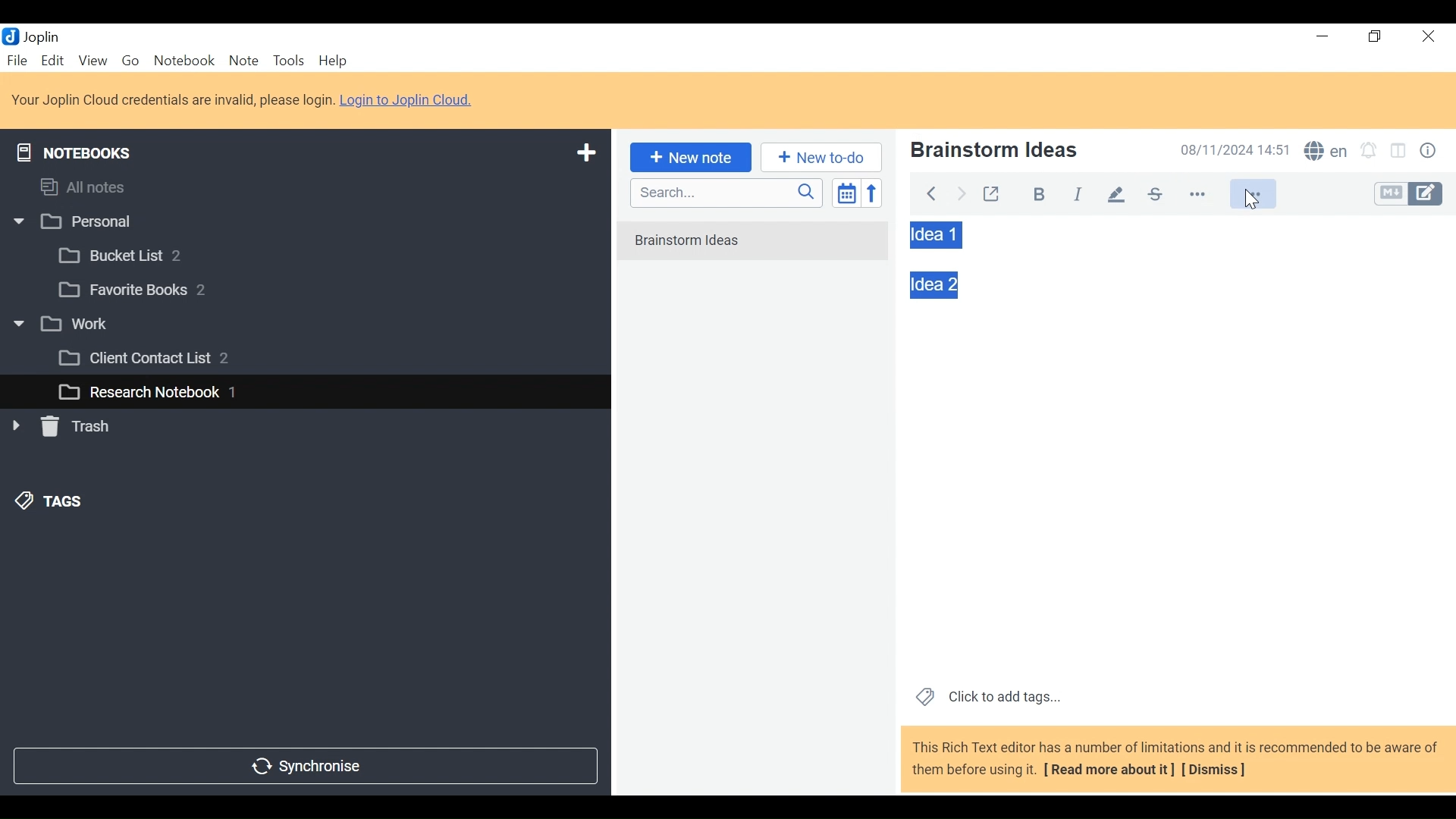 The height and width of the screenshot is (819, 1456). What do you see at coordinates (1231, 149) in the screenshot?
I see `Date and Time` at bounding box center [1231, 149].